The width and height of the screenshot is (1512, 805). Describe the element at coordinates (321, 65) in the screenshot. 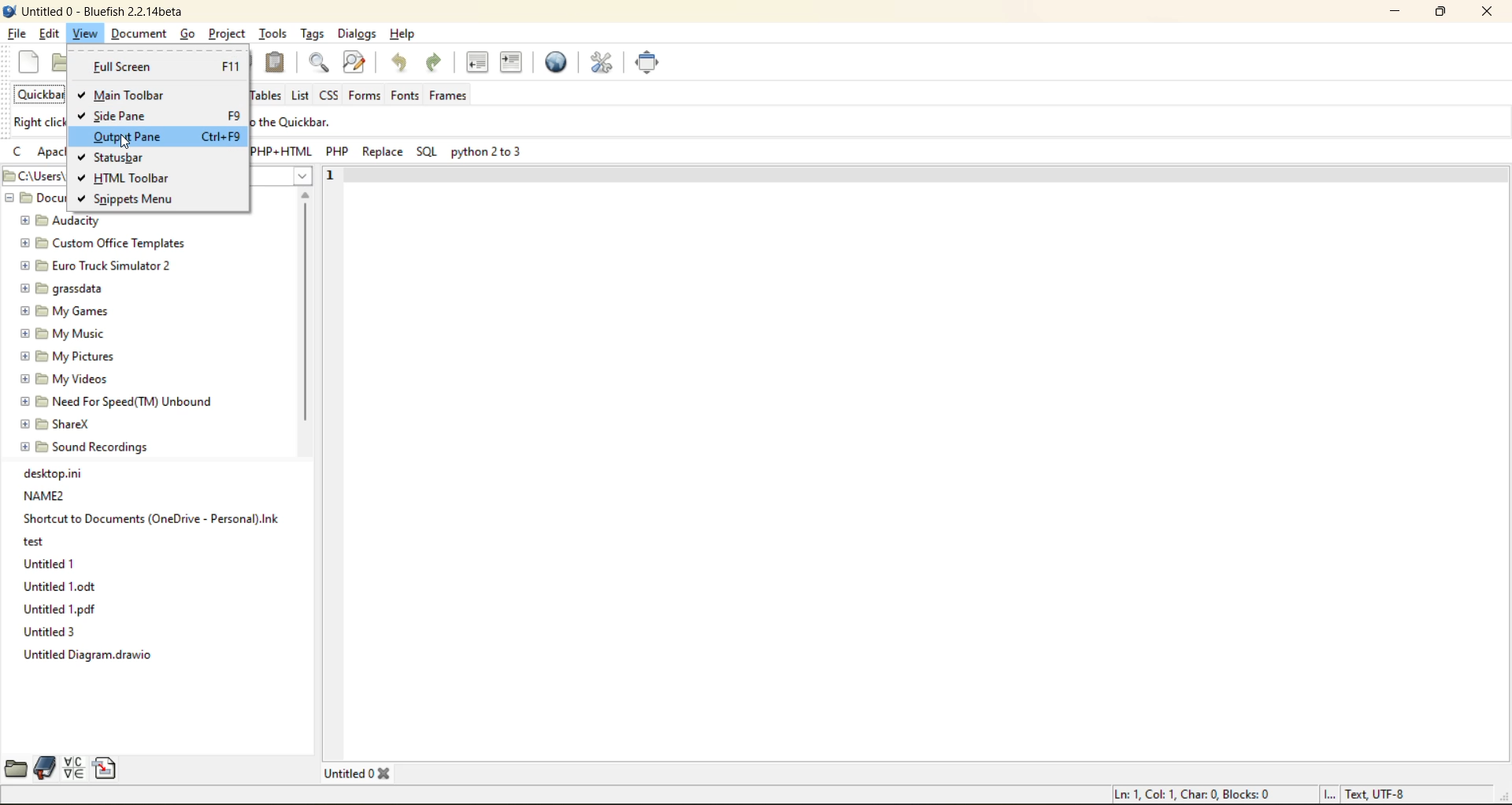

I see `find` at that location.